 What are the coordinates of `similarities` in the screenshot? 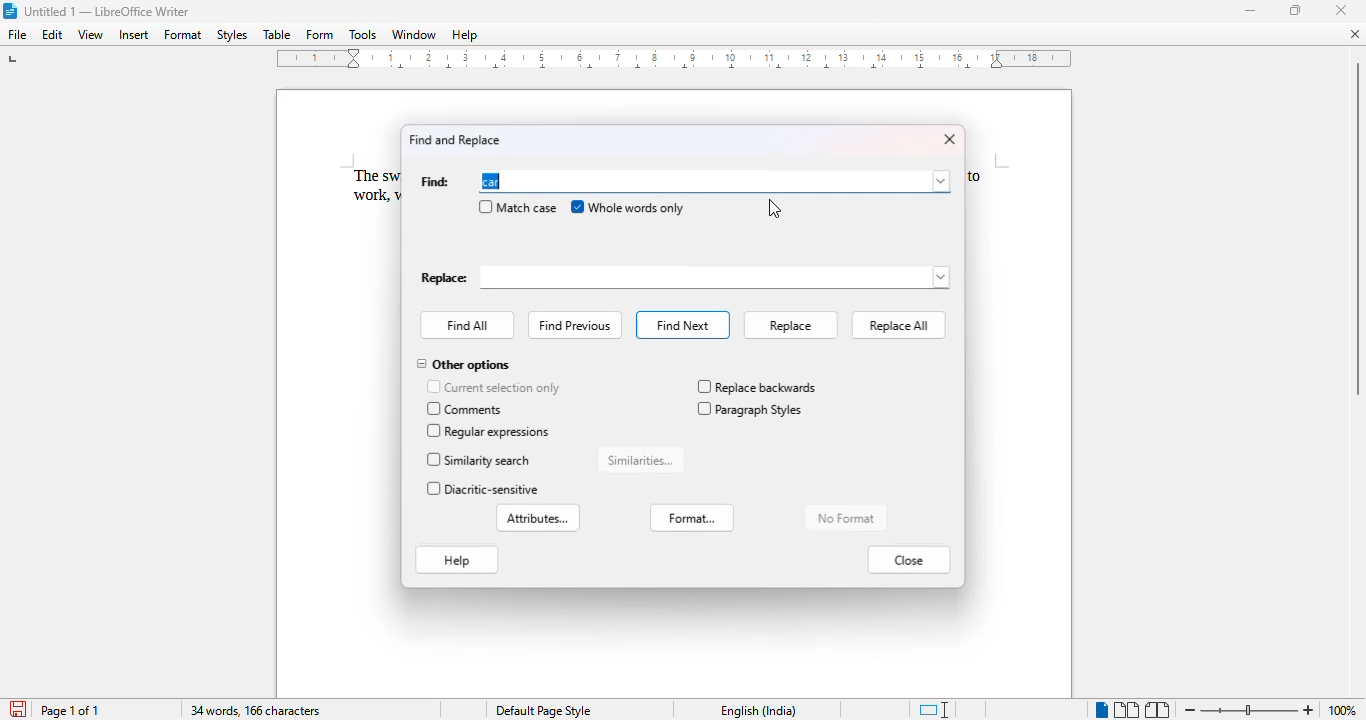 It's located at (641, 460).